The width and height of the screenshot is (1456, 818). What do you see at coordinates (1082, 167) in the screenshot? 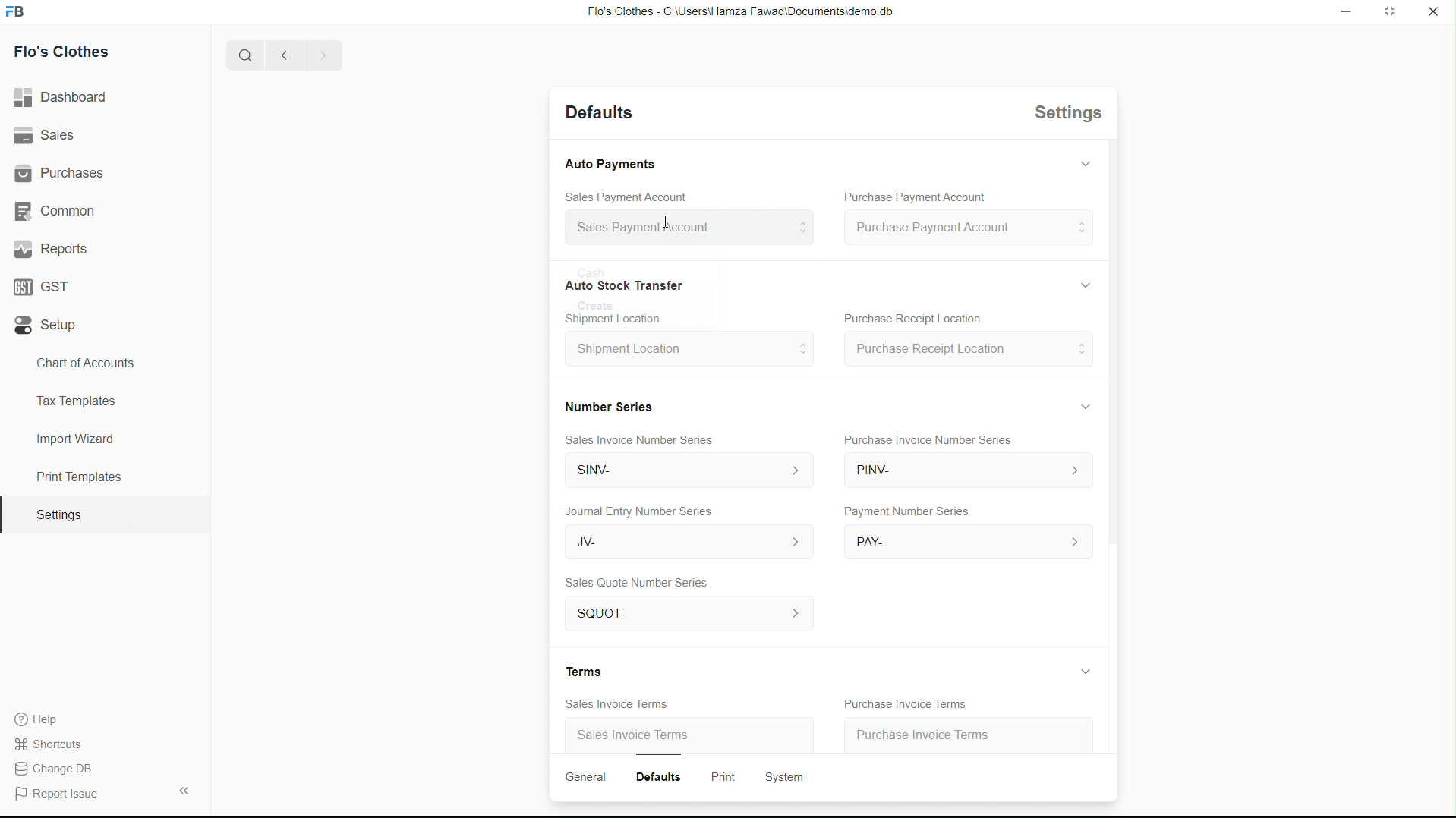
I see `Hide ` at bounding box center [1082, 167].